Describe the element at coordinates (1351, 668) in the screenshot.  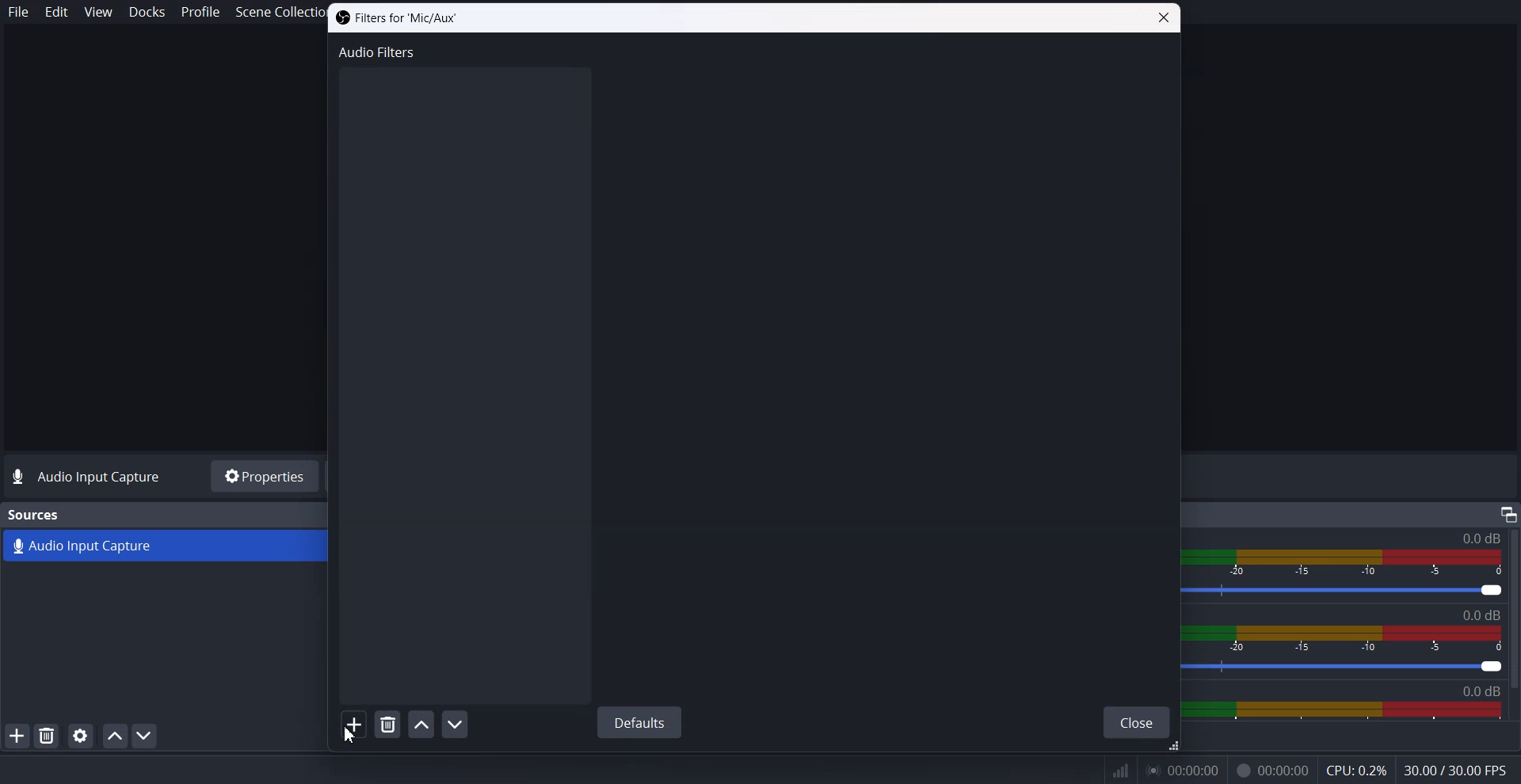
I see `Volume level adjuster` at that location.